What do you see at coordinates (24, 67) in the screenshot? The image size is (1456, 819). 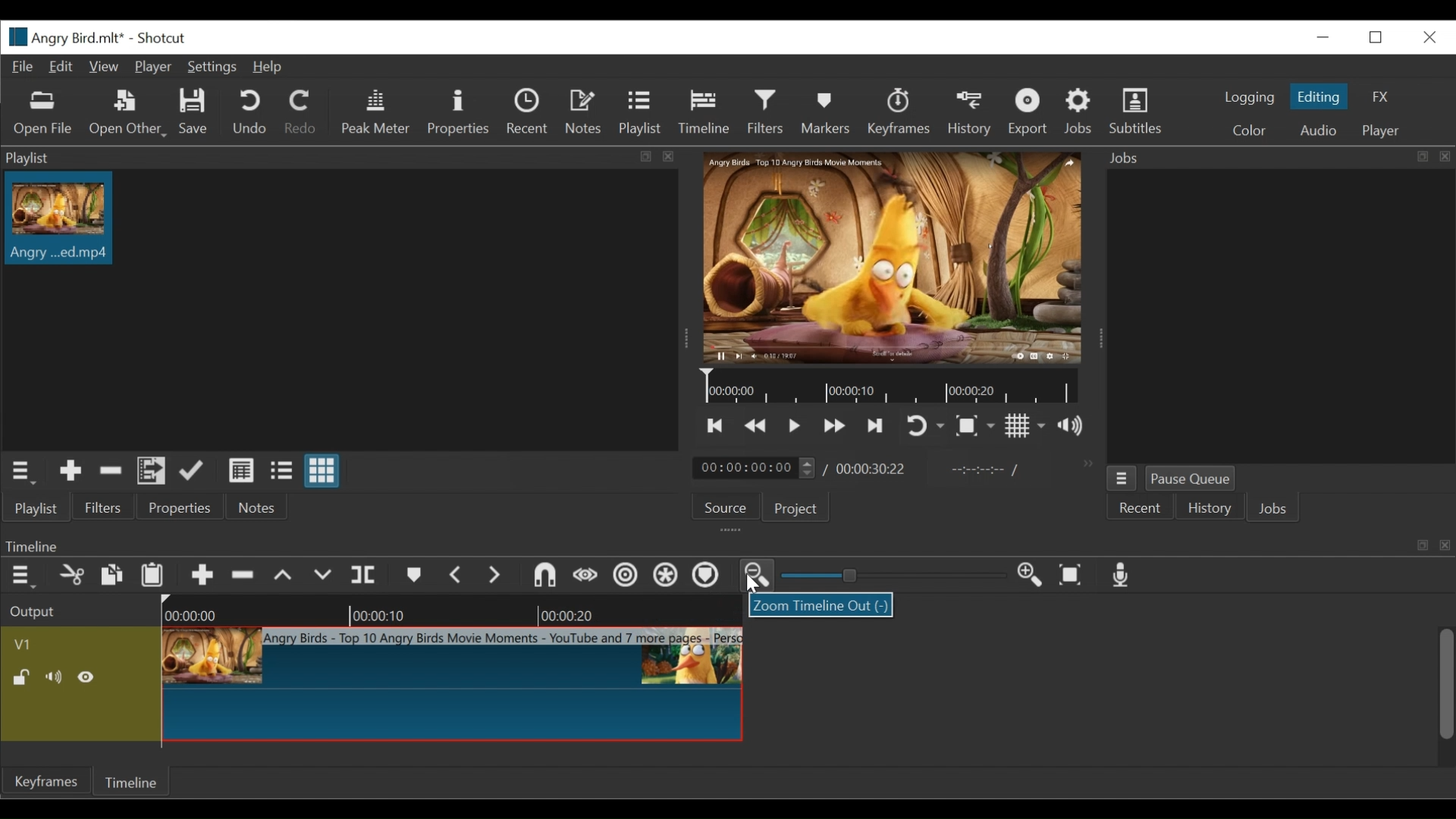 I see `File` at bounding box center [24, 67].